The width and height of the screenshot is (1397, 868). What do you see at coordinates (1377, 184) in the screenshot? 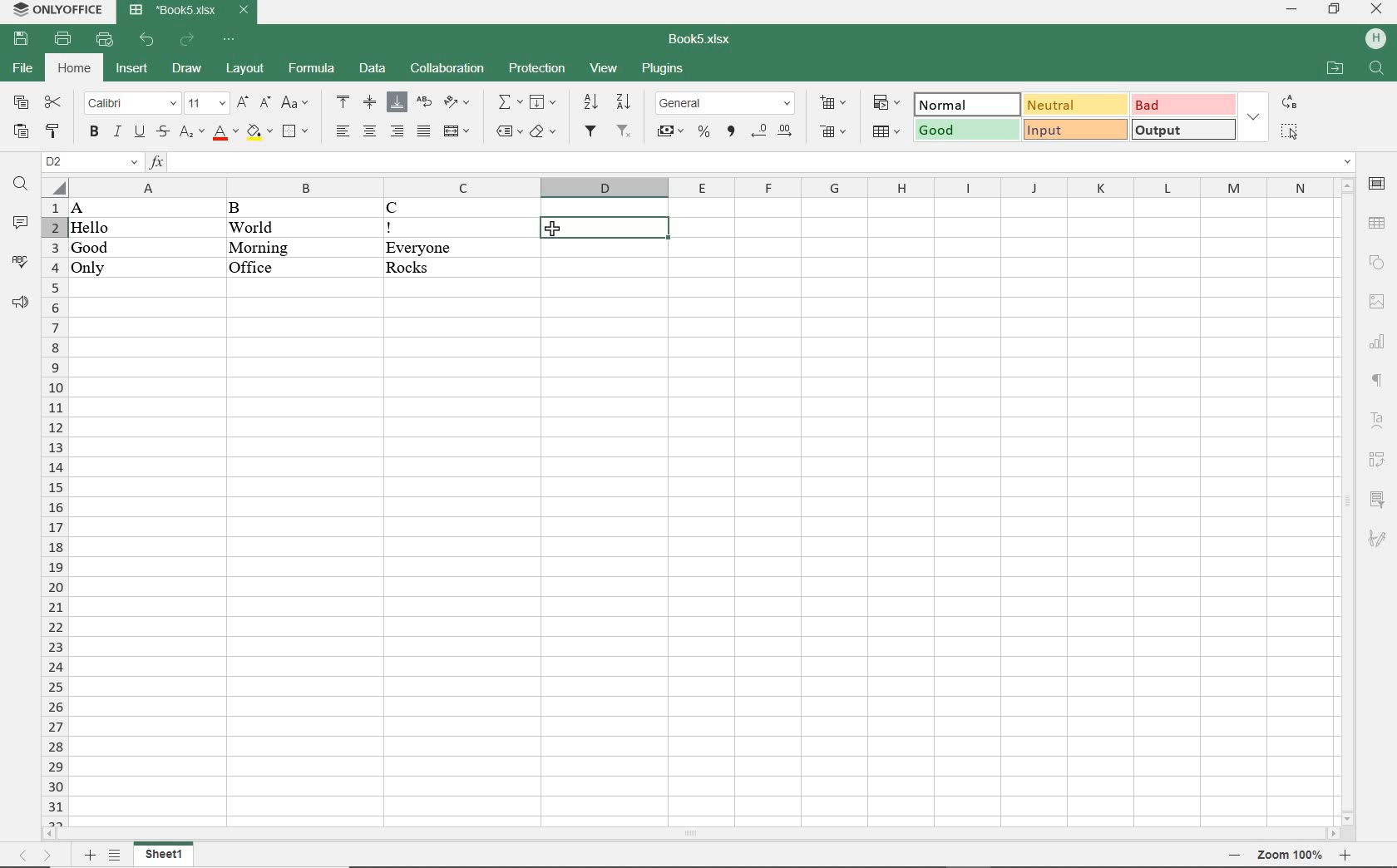
I see `cell settings` at bounding box center [1377, 184].